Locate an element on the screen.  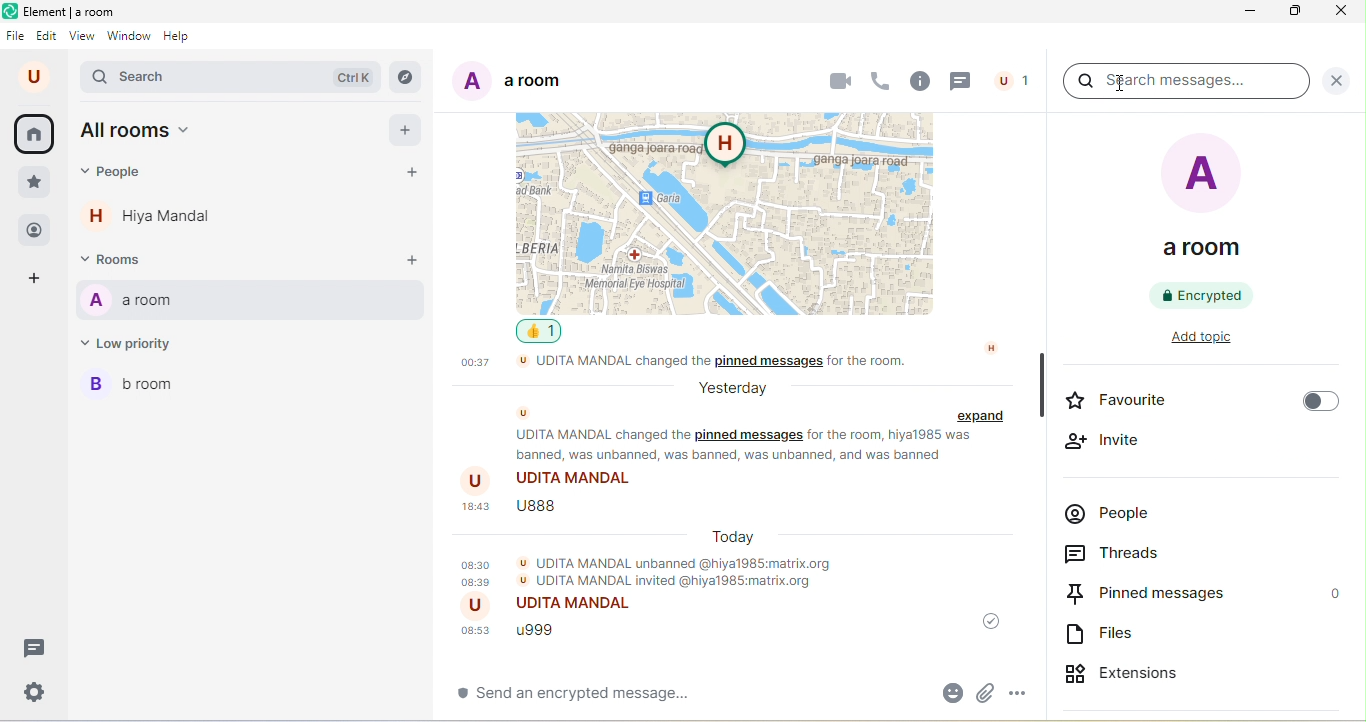
people is located at coordinates (117, 176).